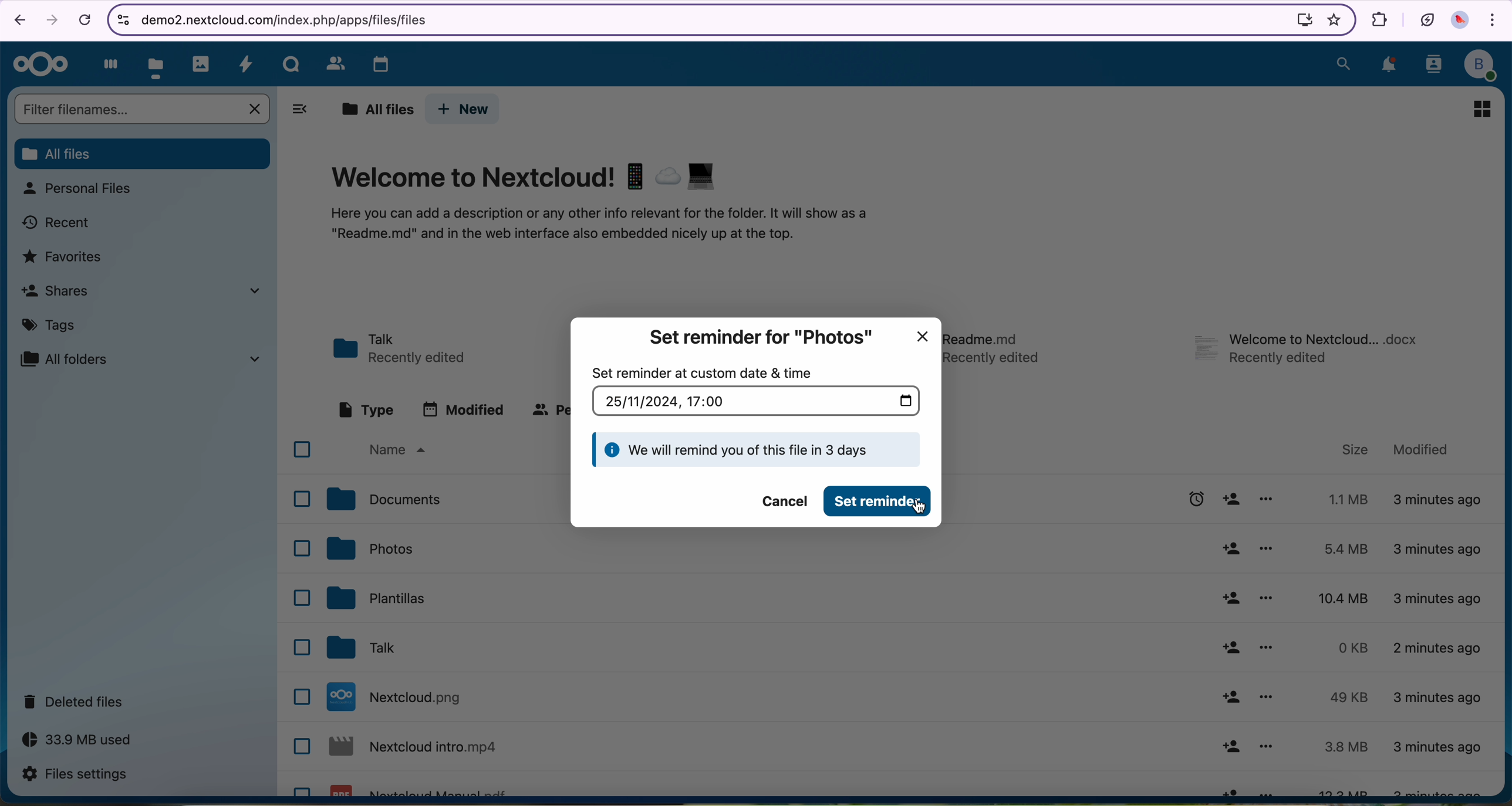 This screenshot has width=1512, height=806. What do you see at coordinates (365, 409) in the screenshot?
I see `type` at bounding box center [365, 409].